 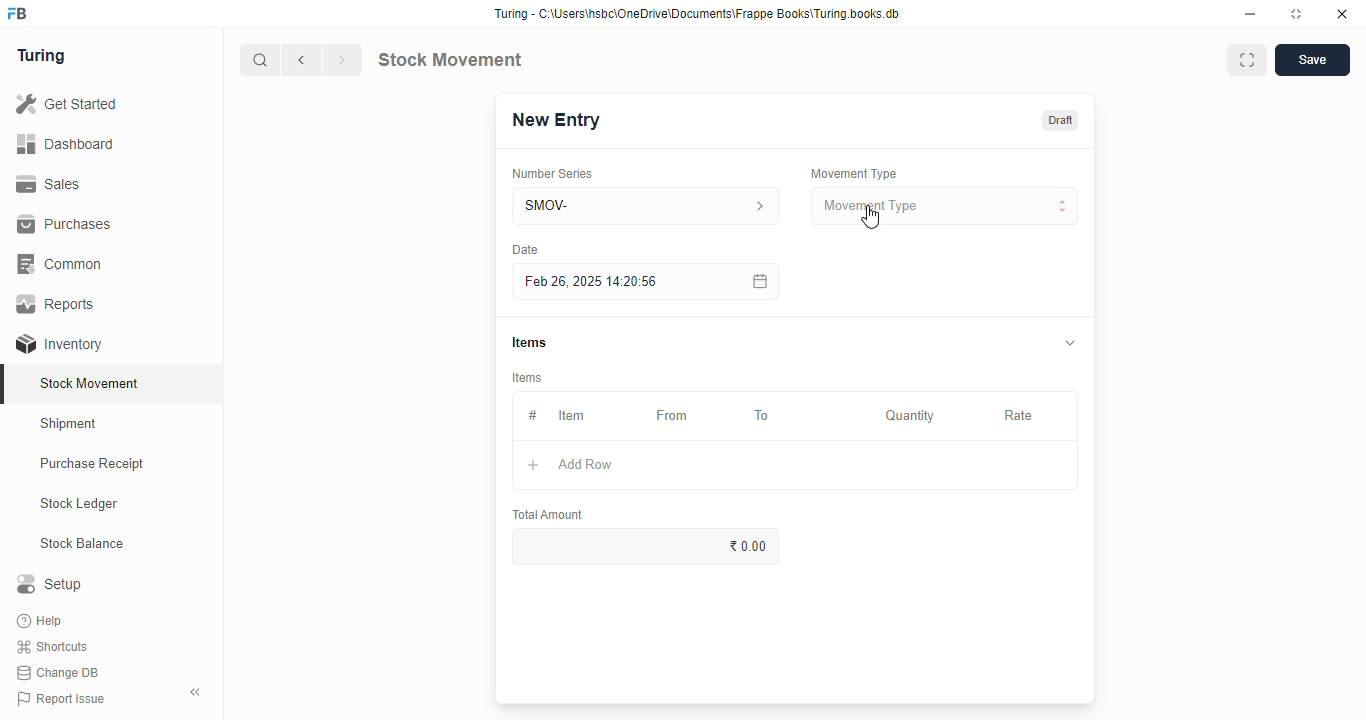 I want to click on stock movement, so click(x=91, y=383).